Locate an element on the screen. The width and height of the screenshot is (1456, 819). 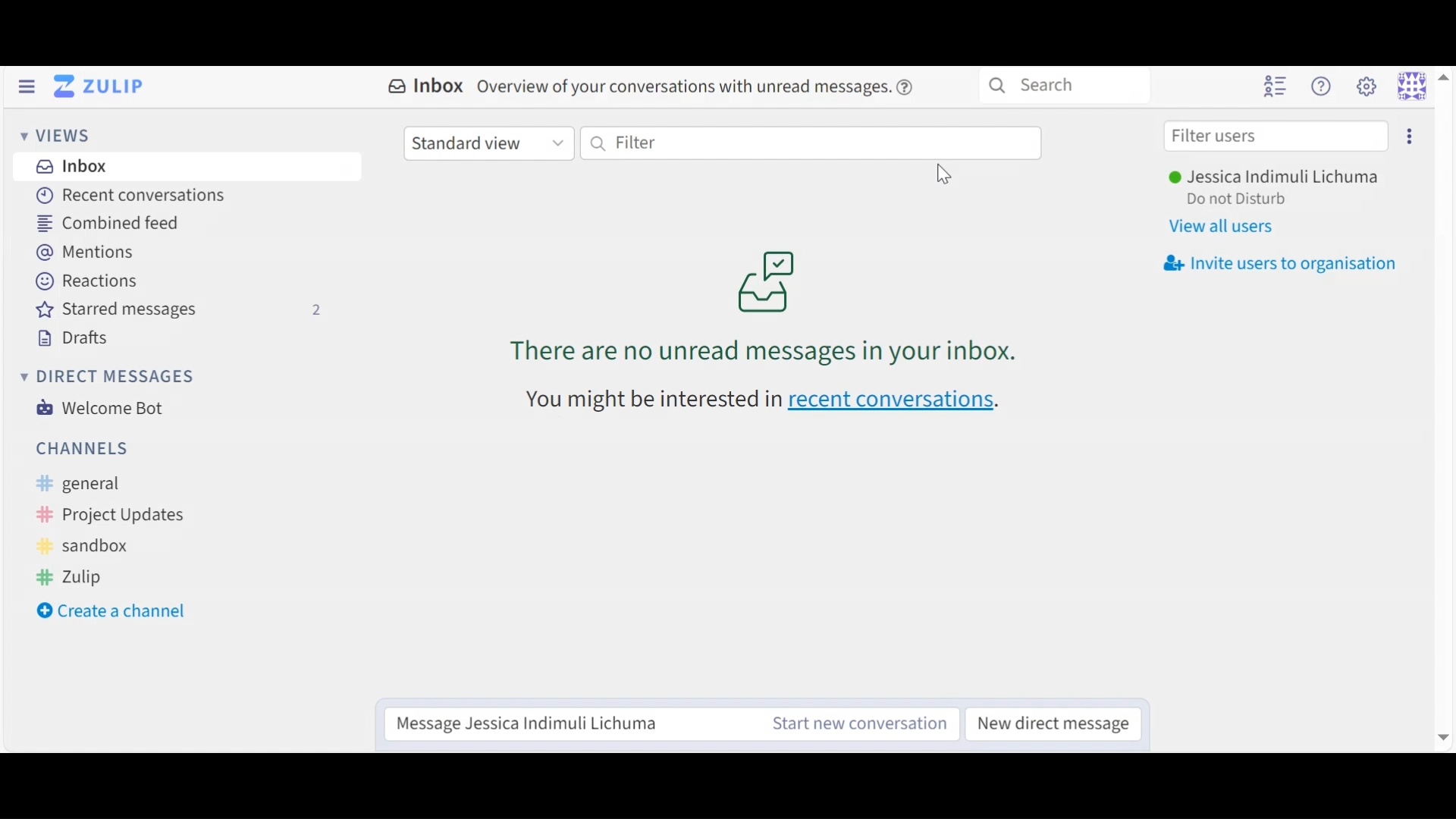
Welcome Bot is located at coordinates (98, 408).